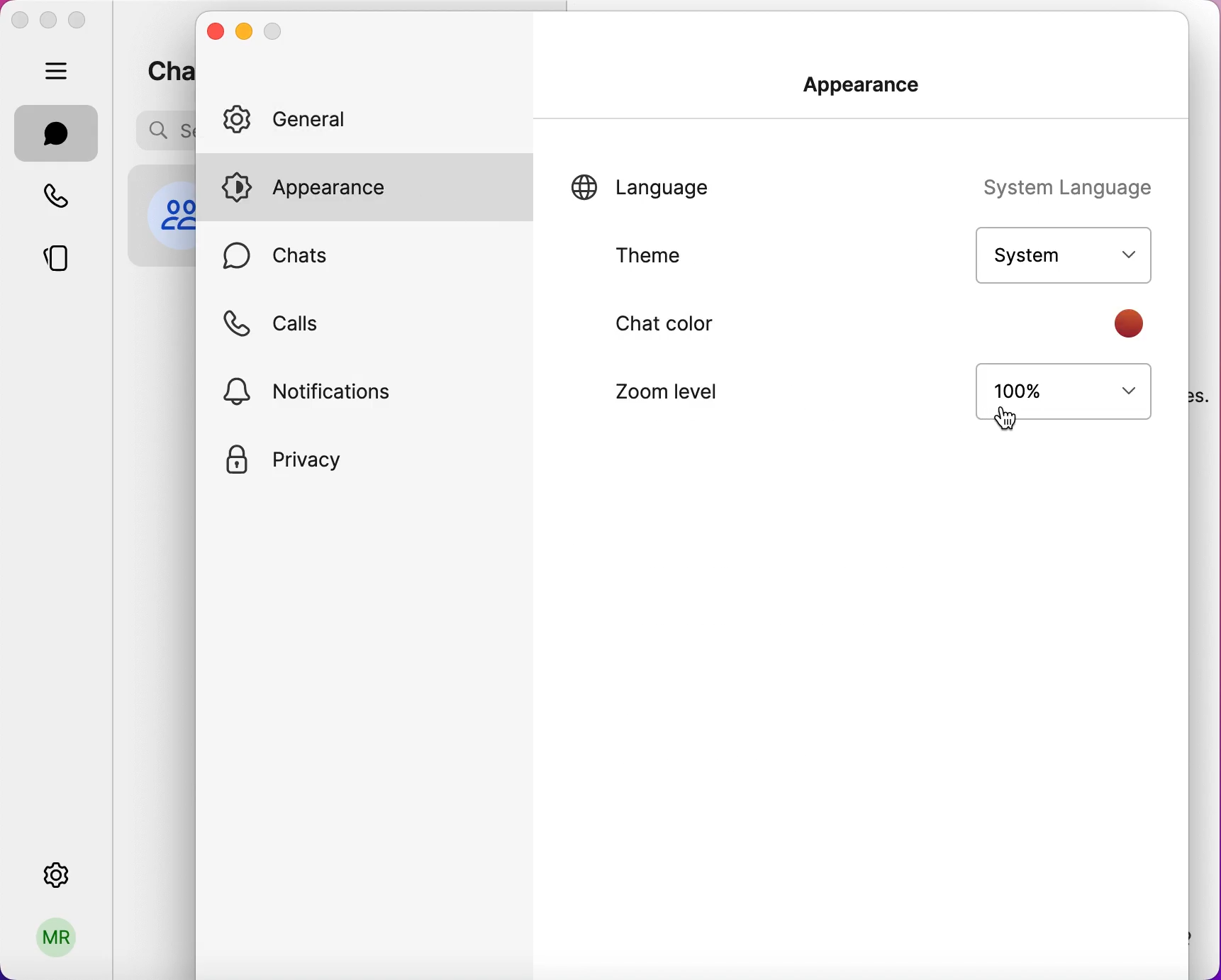 This screenshot has width=1221, height=980. What do you see at coordinates (1064, 399) in the screenshot?
I see `100%` at bounding box center [1064, 399].